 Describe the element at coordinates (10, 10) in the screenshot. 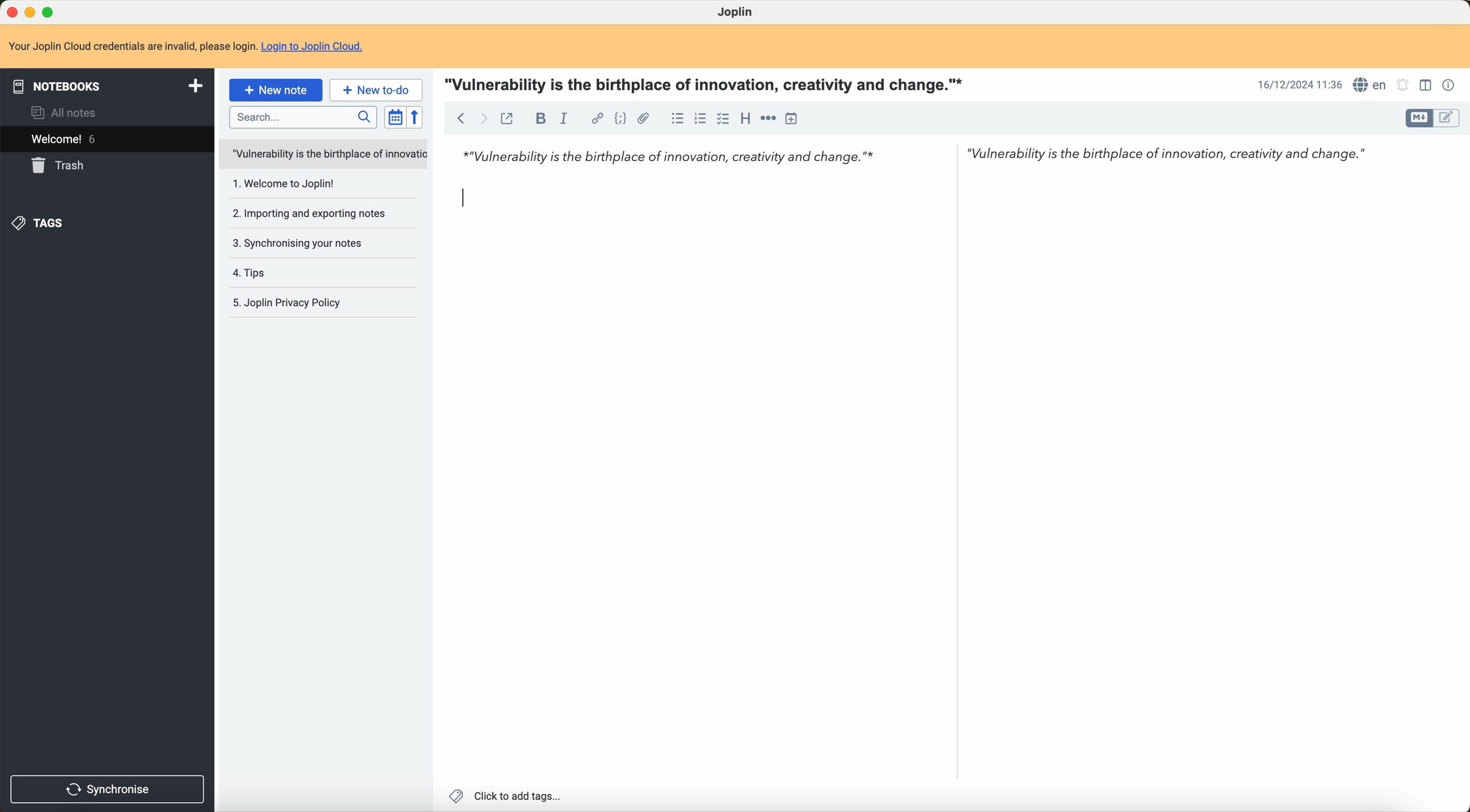

I see `close program` at that location.